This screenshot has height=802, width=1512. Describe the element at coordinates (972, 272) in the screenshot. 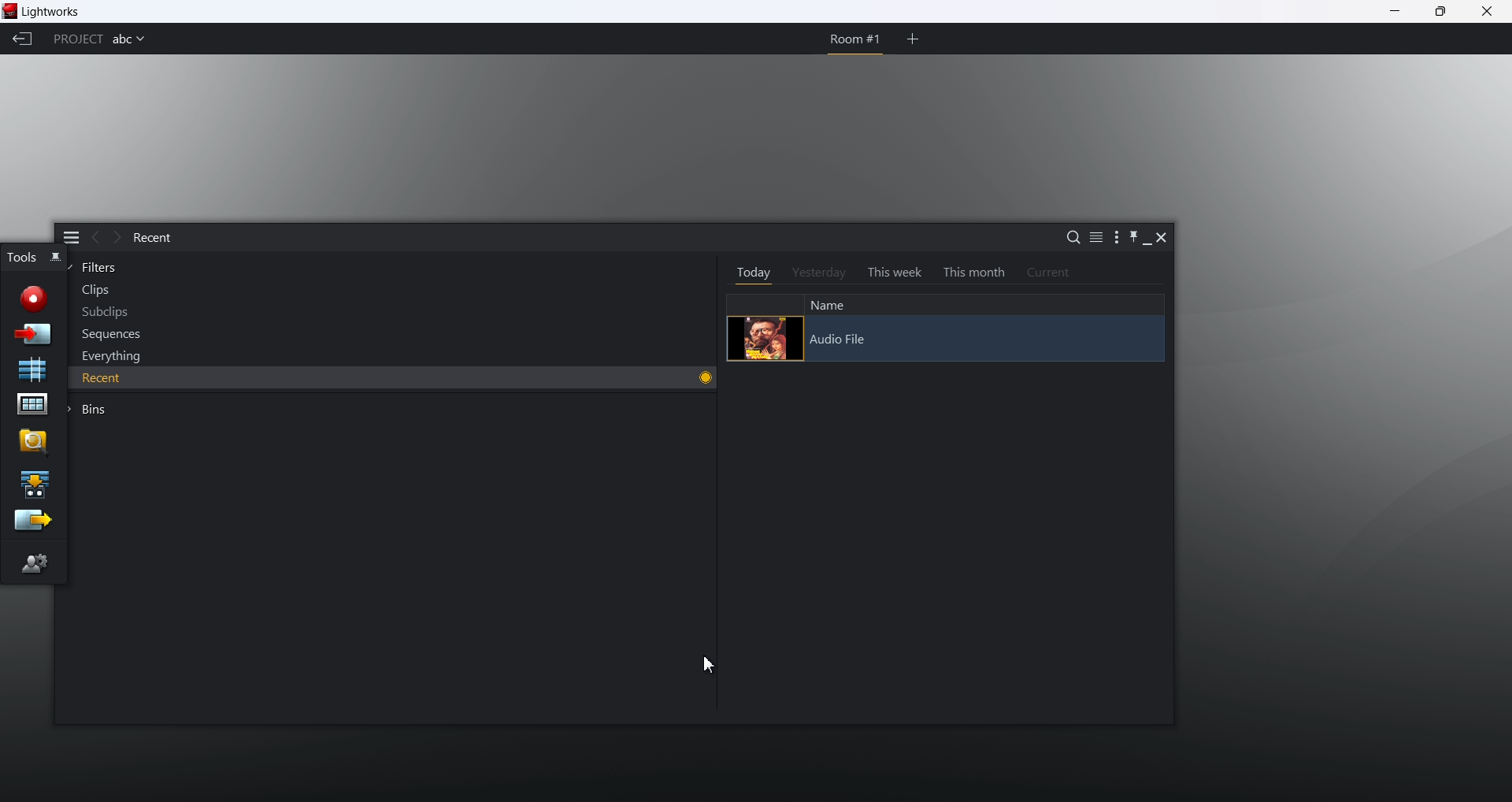

I see `this month` at that location.